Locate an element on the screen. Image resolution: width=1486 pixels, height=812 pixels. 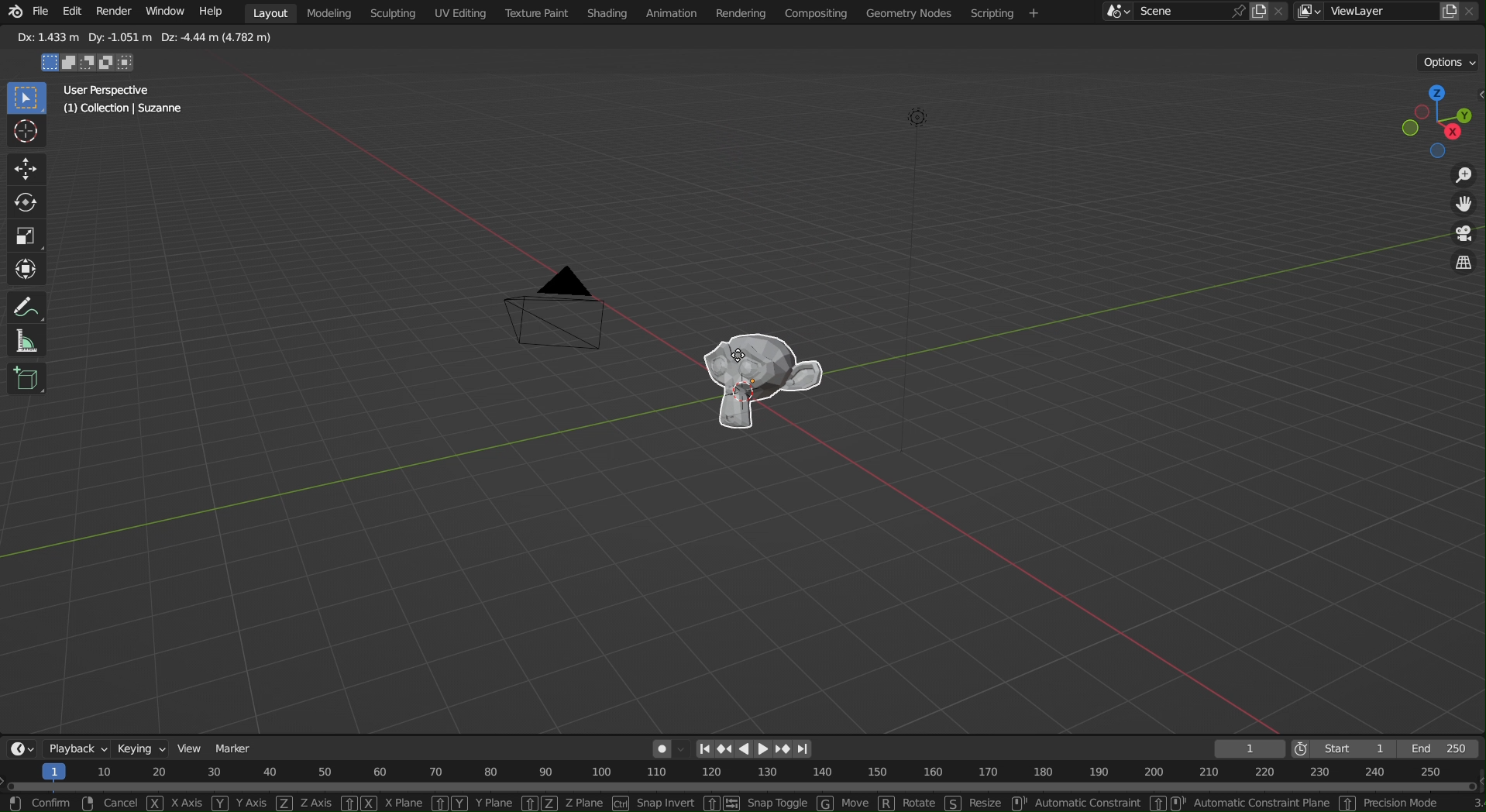
Scripting is located at coordinates (1007, 12).